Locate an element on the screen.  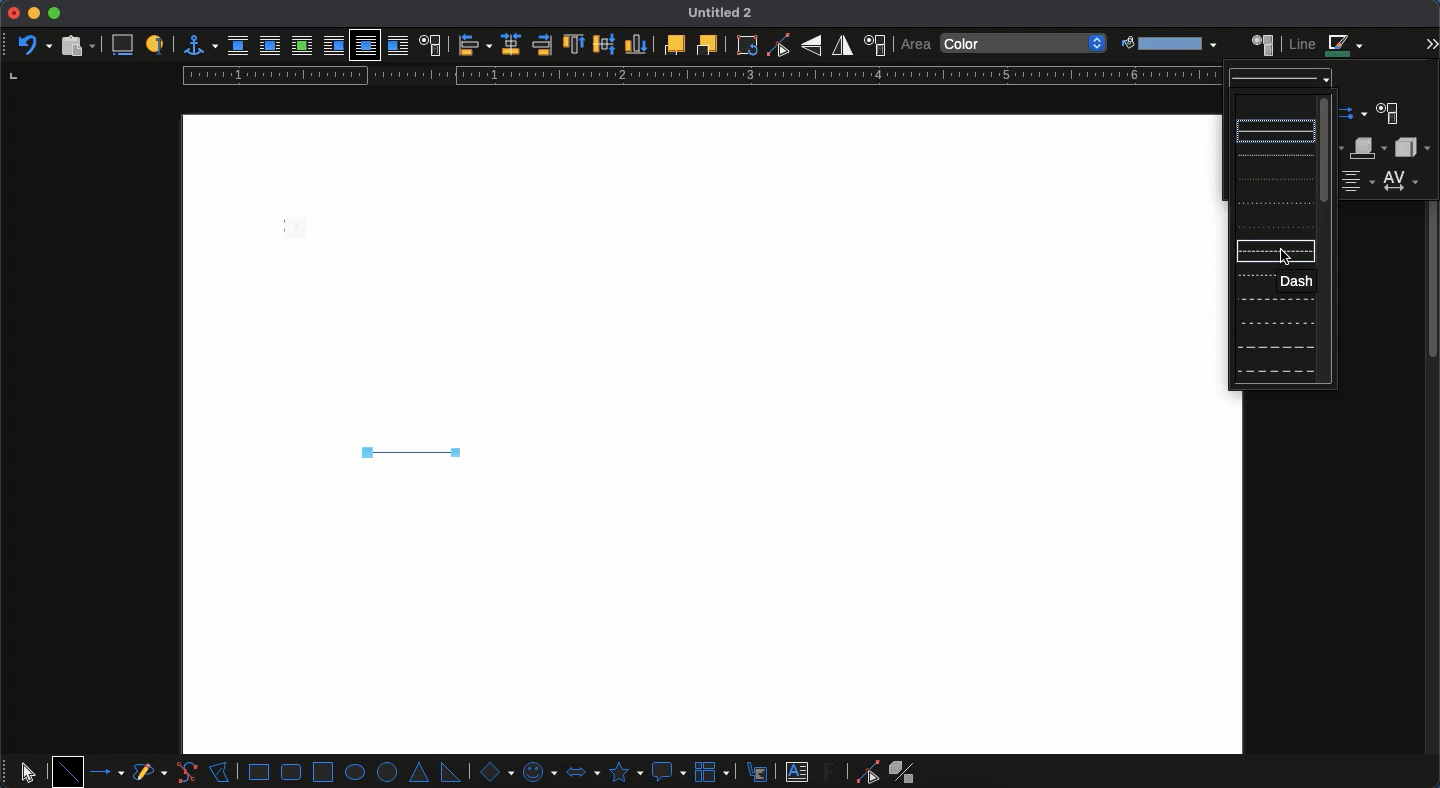
close is located at coordinates (13, 13).